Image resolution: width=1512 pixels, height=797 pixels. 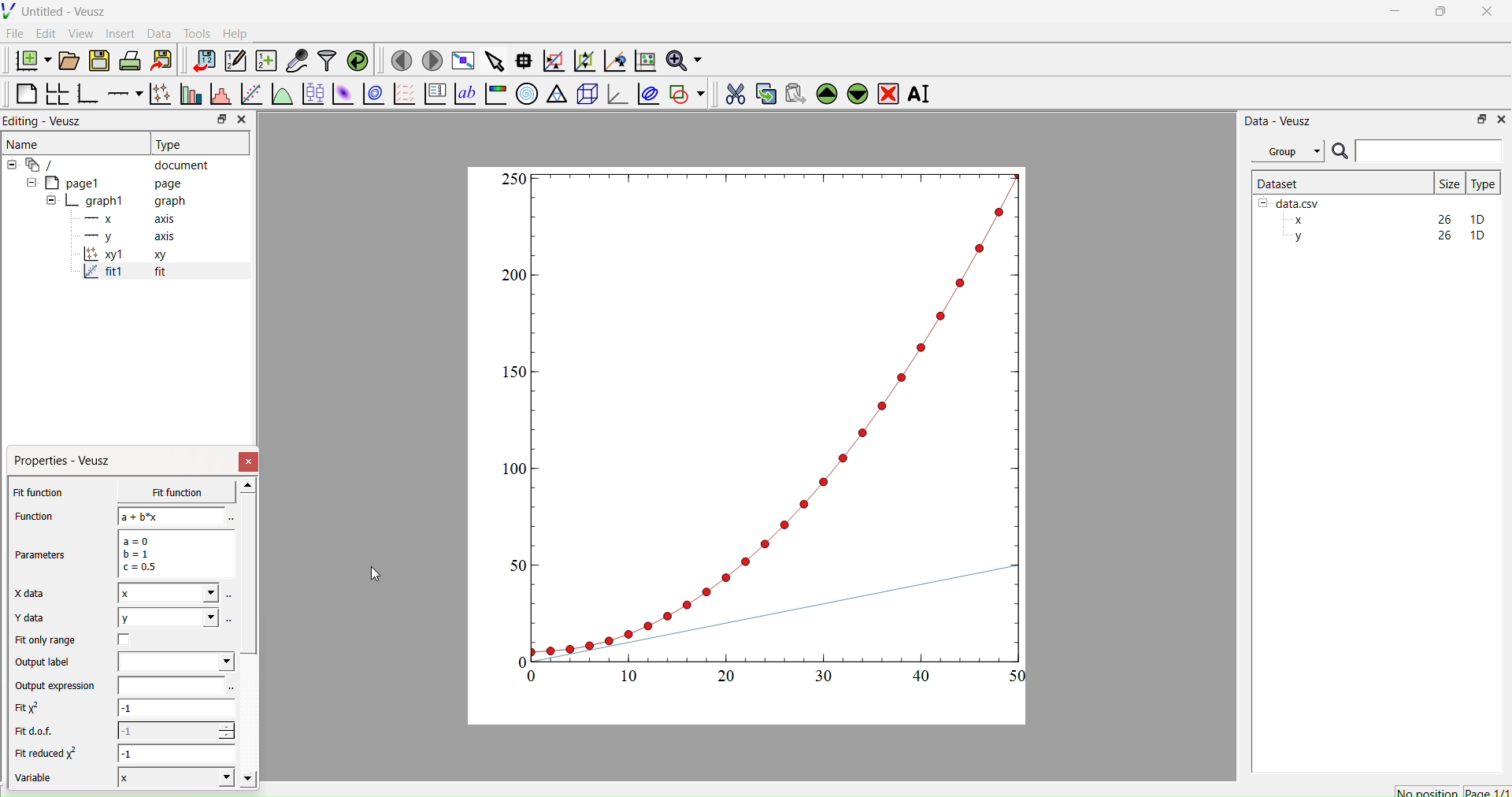 What do you see at coordinates (614, 93) in the screenshot?
I see `3d Graph` at bounding box center [614, 93].